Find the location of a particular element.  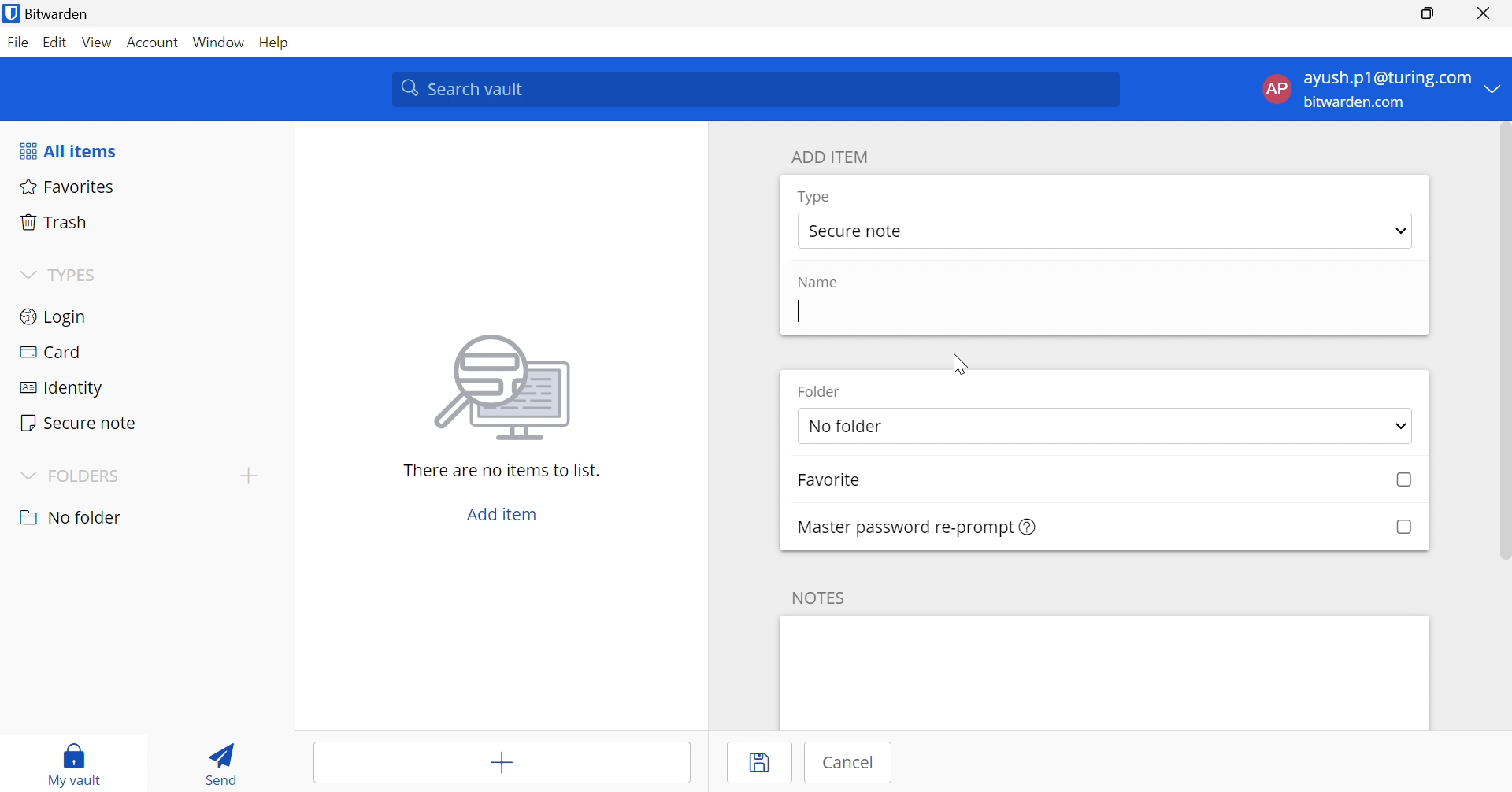

NOTES is located at coordinates (819, 597).